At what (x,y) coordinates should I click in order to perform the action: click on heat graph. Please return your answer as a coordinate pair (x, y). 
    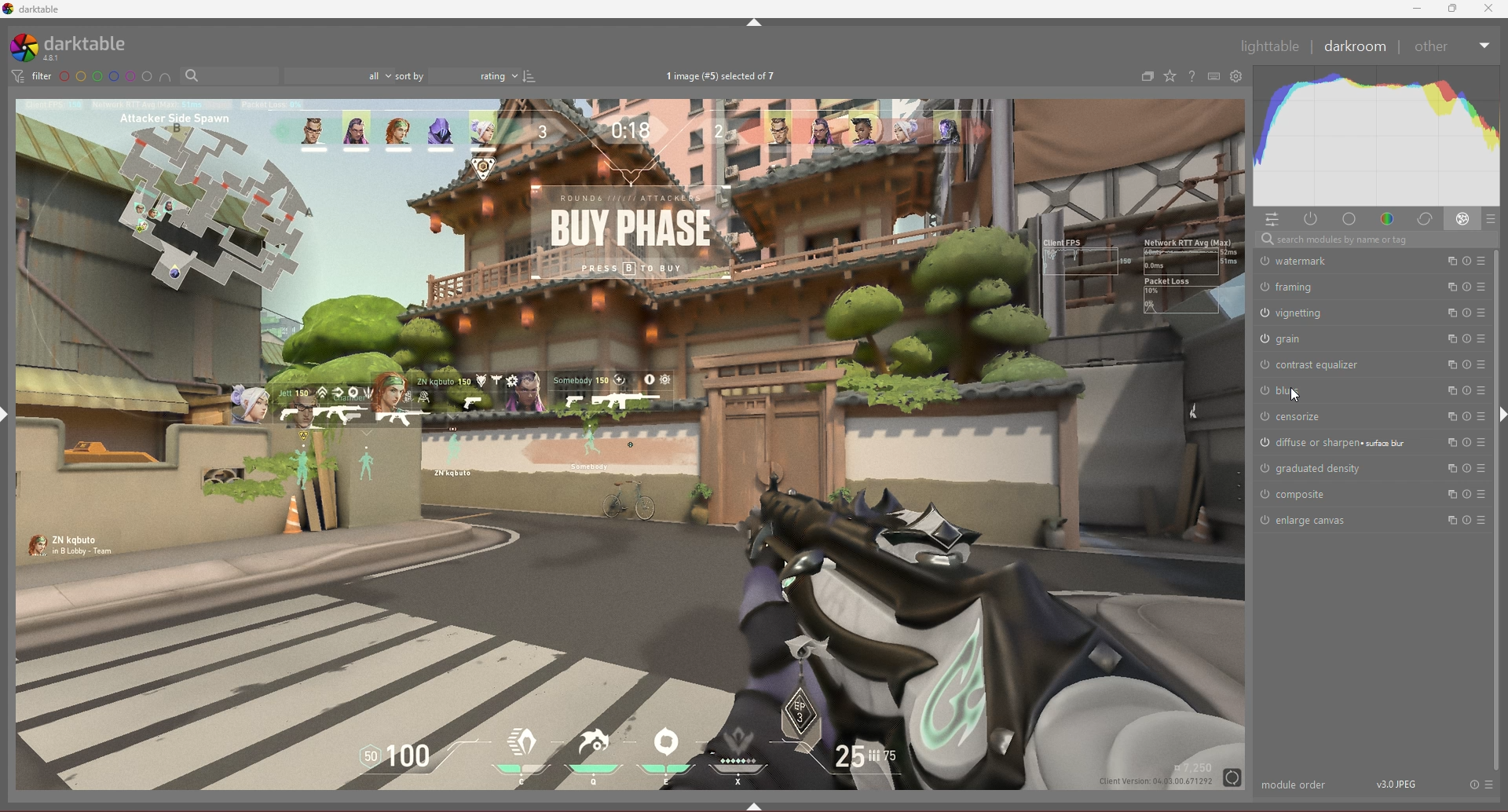
    Looking at the image, I should click on (1376, 136).